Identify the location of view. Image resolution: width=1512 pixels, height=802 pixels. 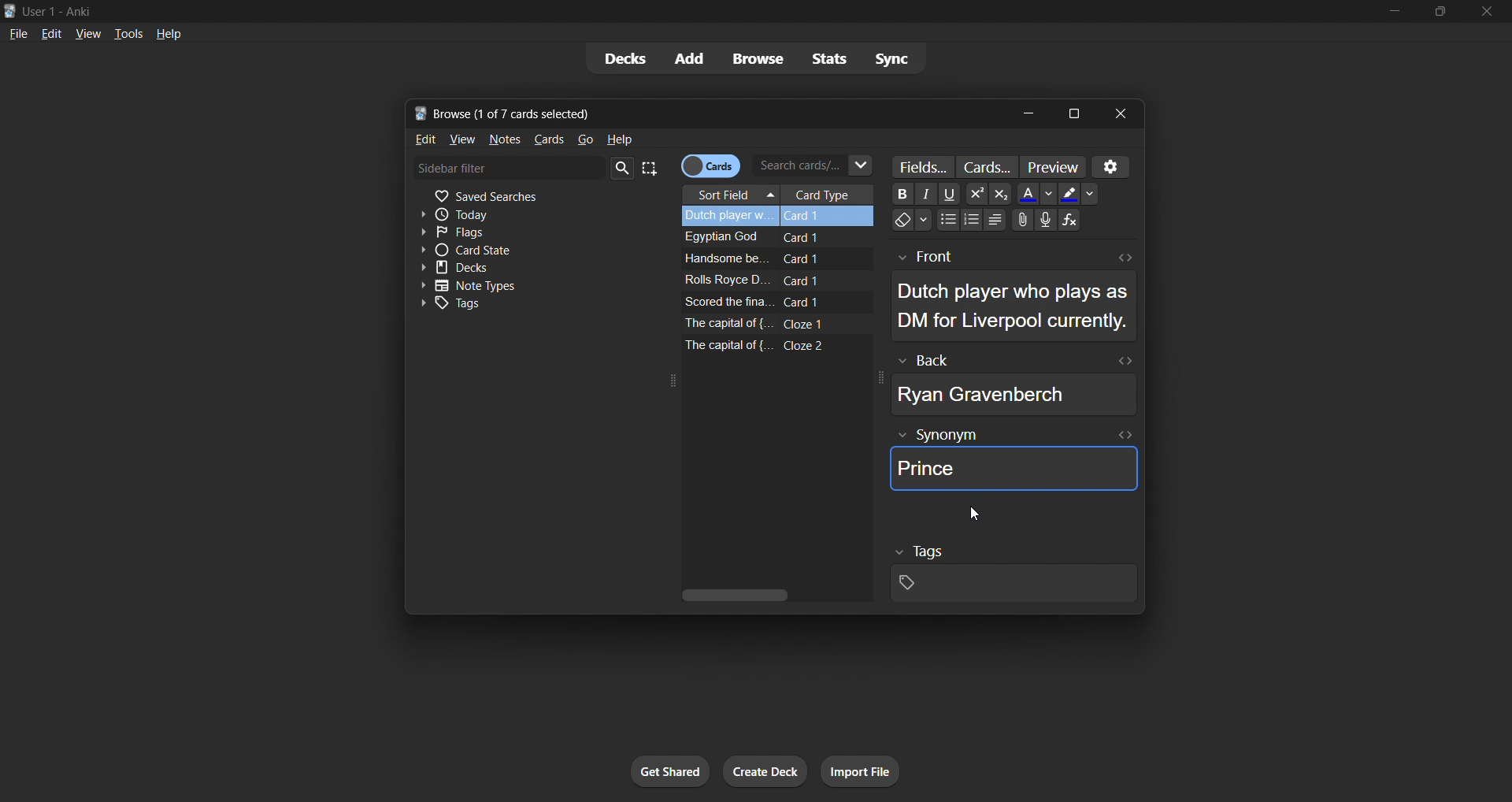
(462, 141).